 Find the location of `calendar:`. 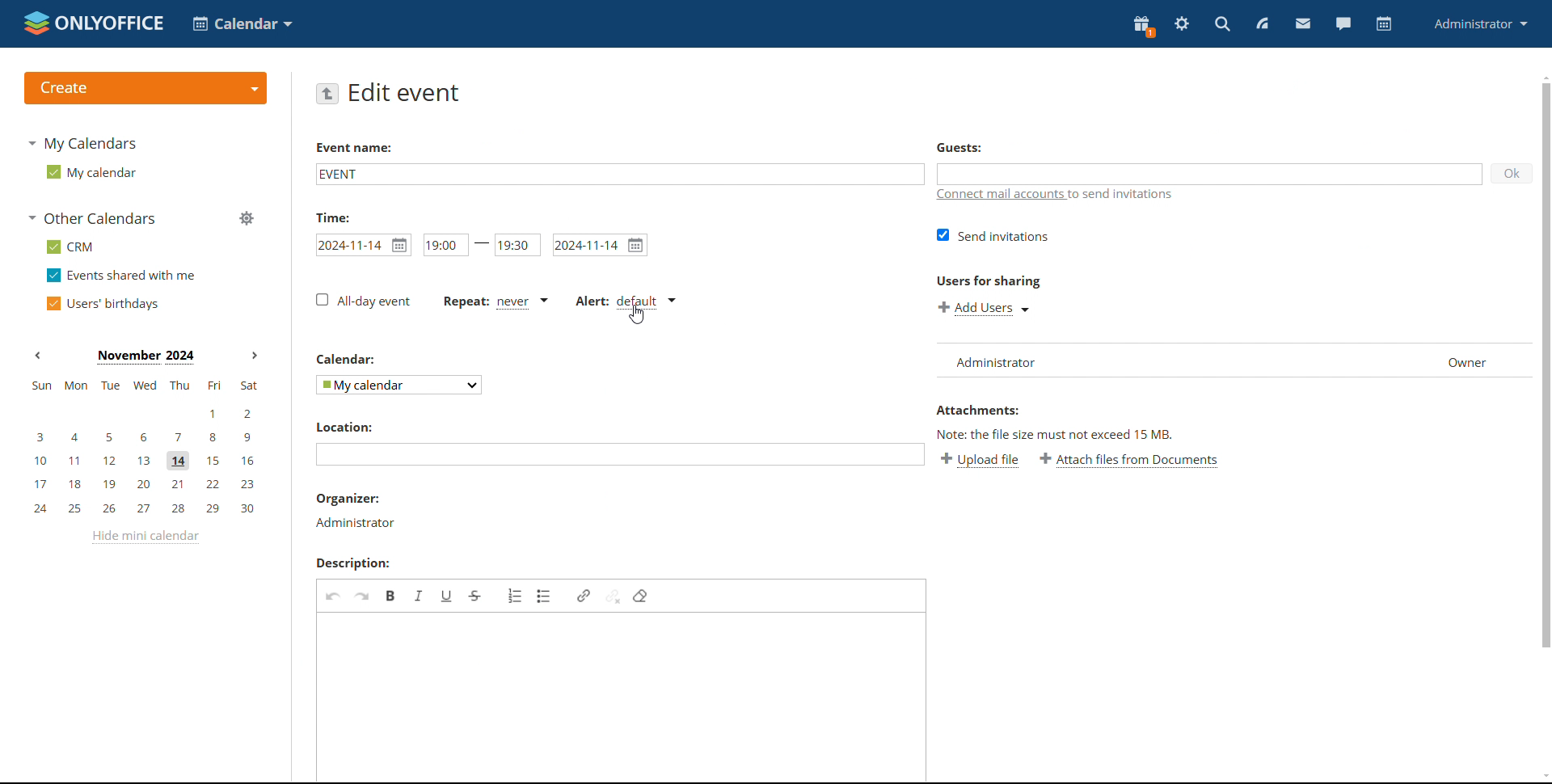

calendar: is located at coordinates (349, 358).